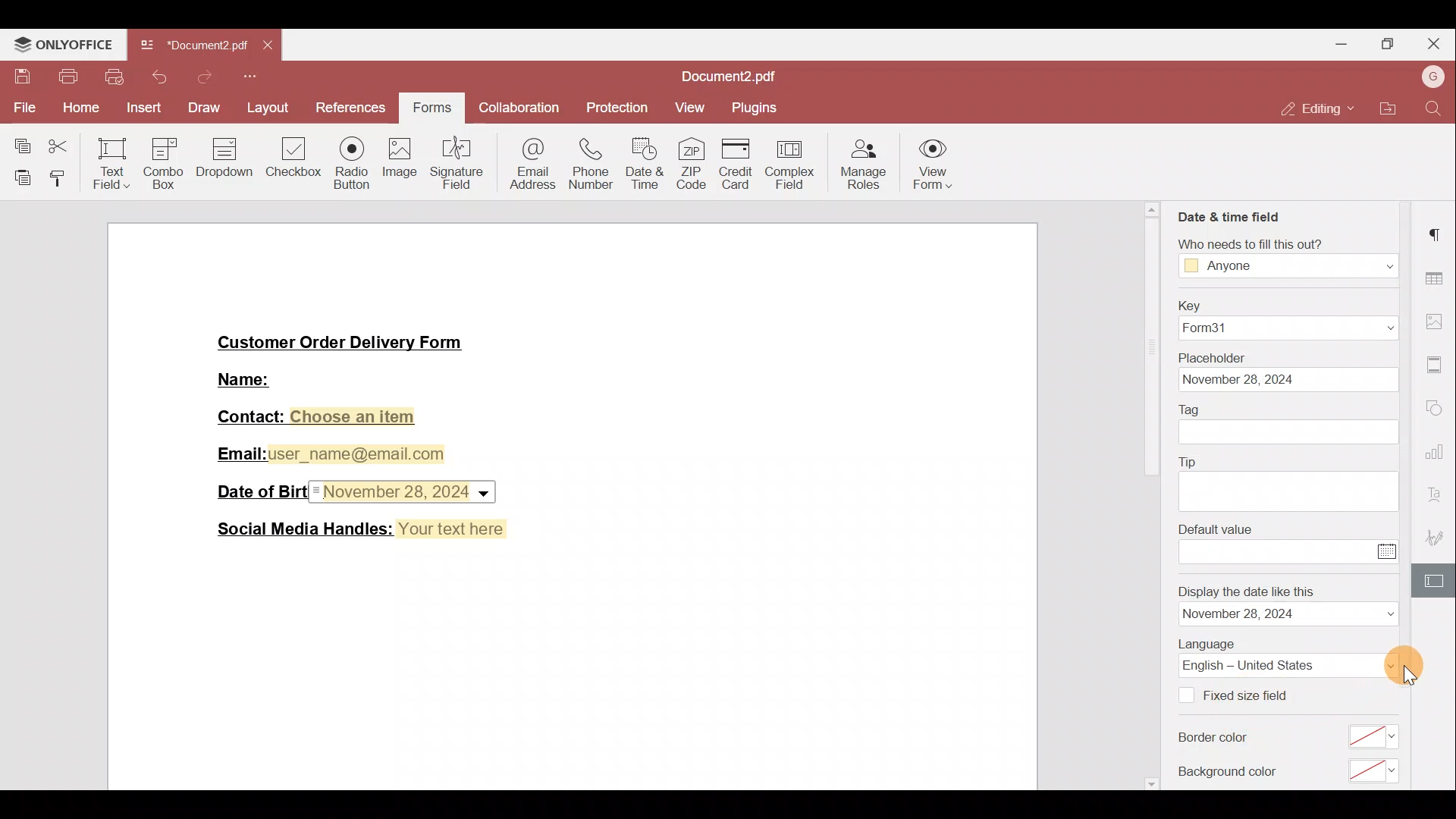  I want to click on Maximise, so click(1389, 42).